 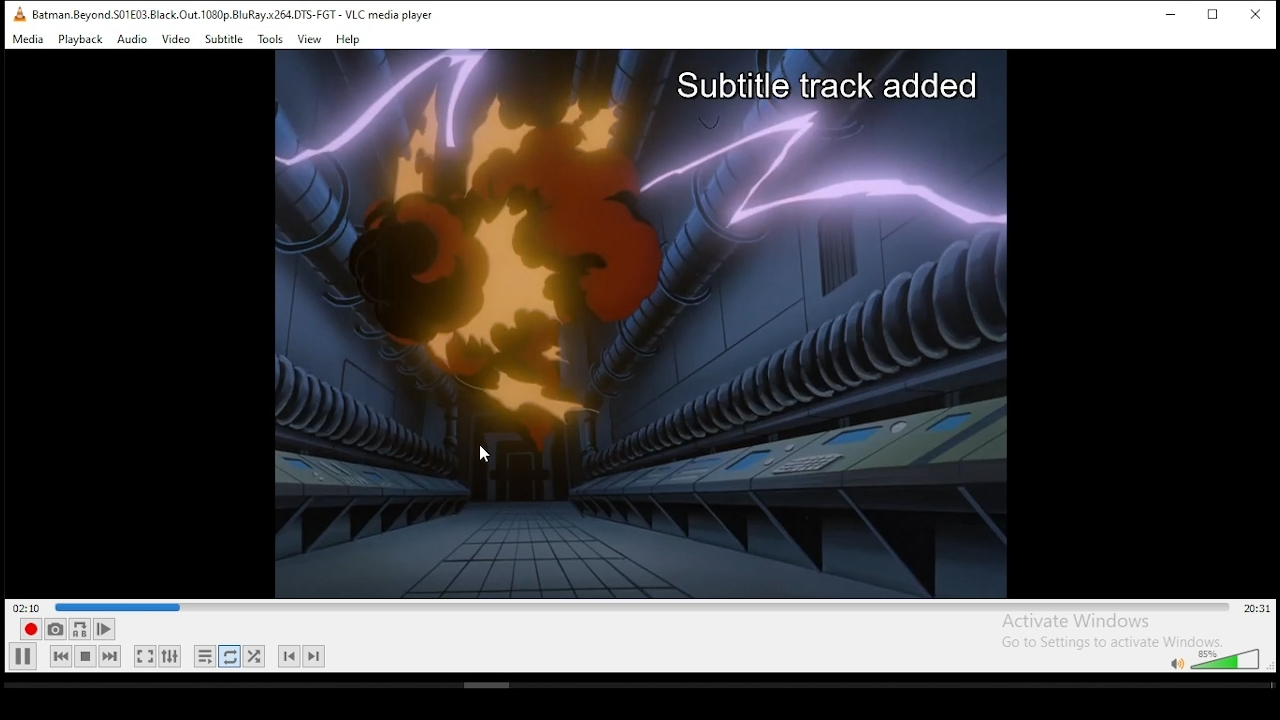 What do you see at coordinates (170, 656) in the screenshot?
I see `show extended settings` at bounding box center [170, 656].